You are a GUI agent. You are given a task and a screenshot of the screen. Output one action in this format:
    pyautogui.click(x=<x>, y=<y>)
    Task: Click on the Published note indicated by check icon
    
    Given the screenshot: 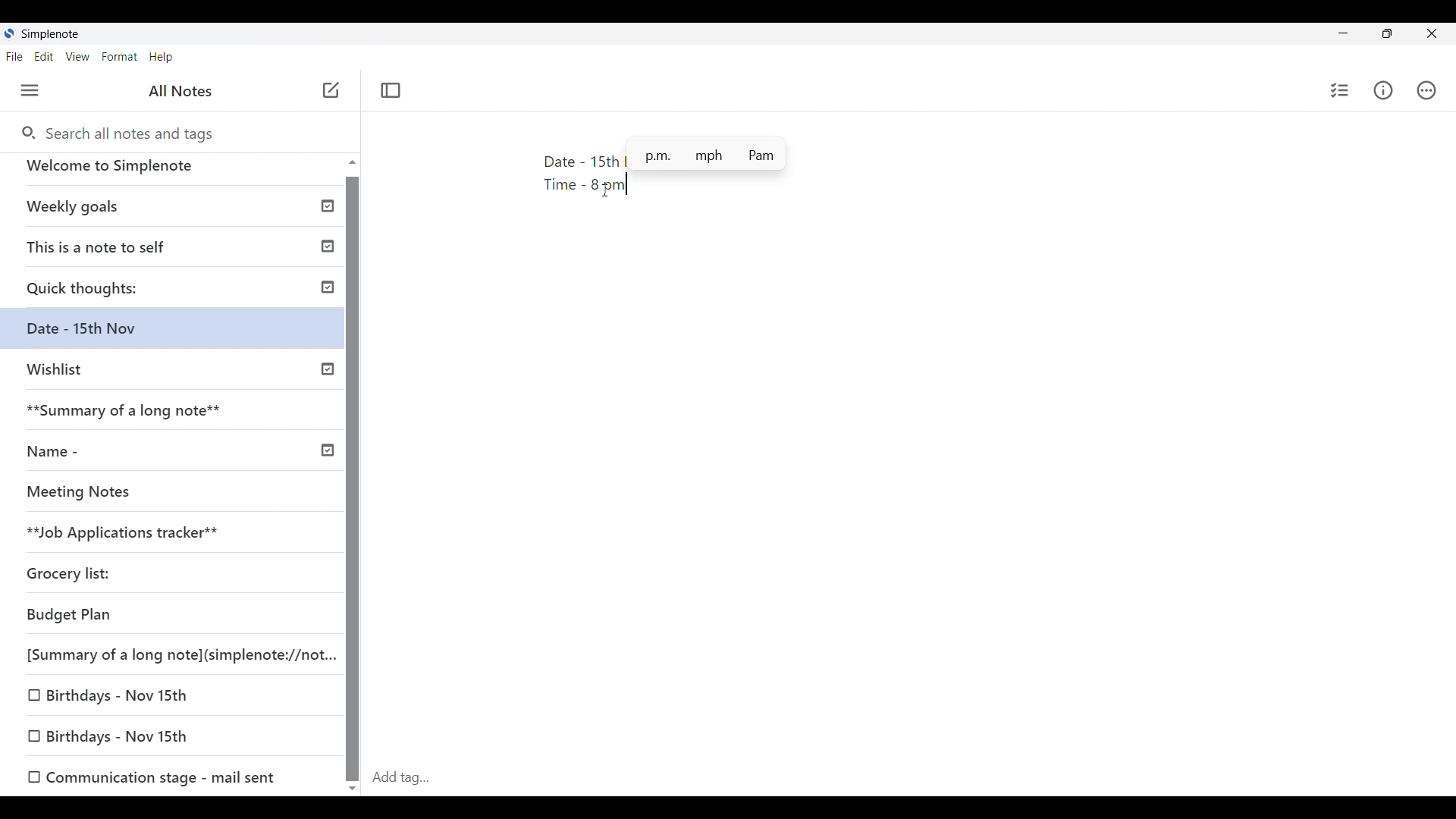 What is the action you would take?
    pyautogui.click(x=177, y=457)
    